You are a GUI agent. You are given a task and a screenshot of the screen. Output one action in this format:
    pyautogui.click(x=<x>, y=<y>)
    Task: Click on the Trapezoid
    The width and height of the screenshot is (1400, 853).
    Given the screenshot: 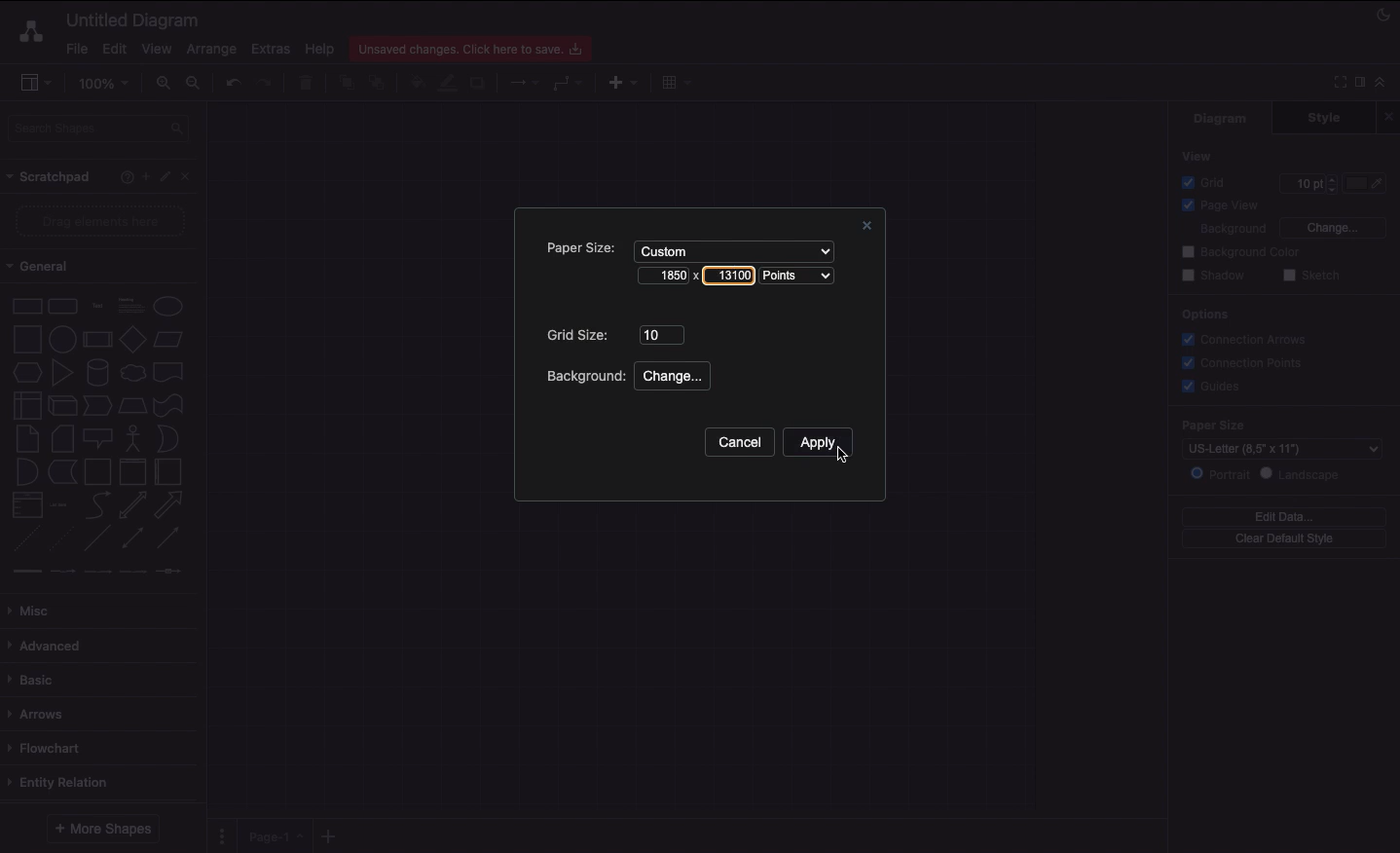 What is the action you would take?
    pyautogui.click(x=130, y=406)
    